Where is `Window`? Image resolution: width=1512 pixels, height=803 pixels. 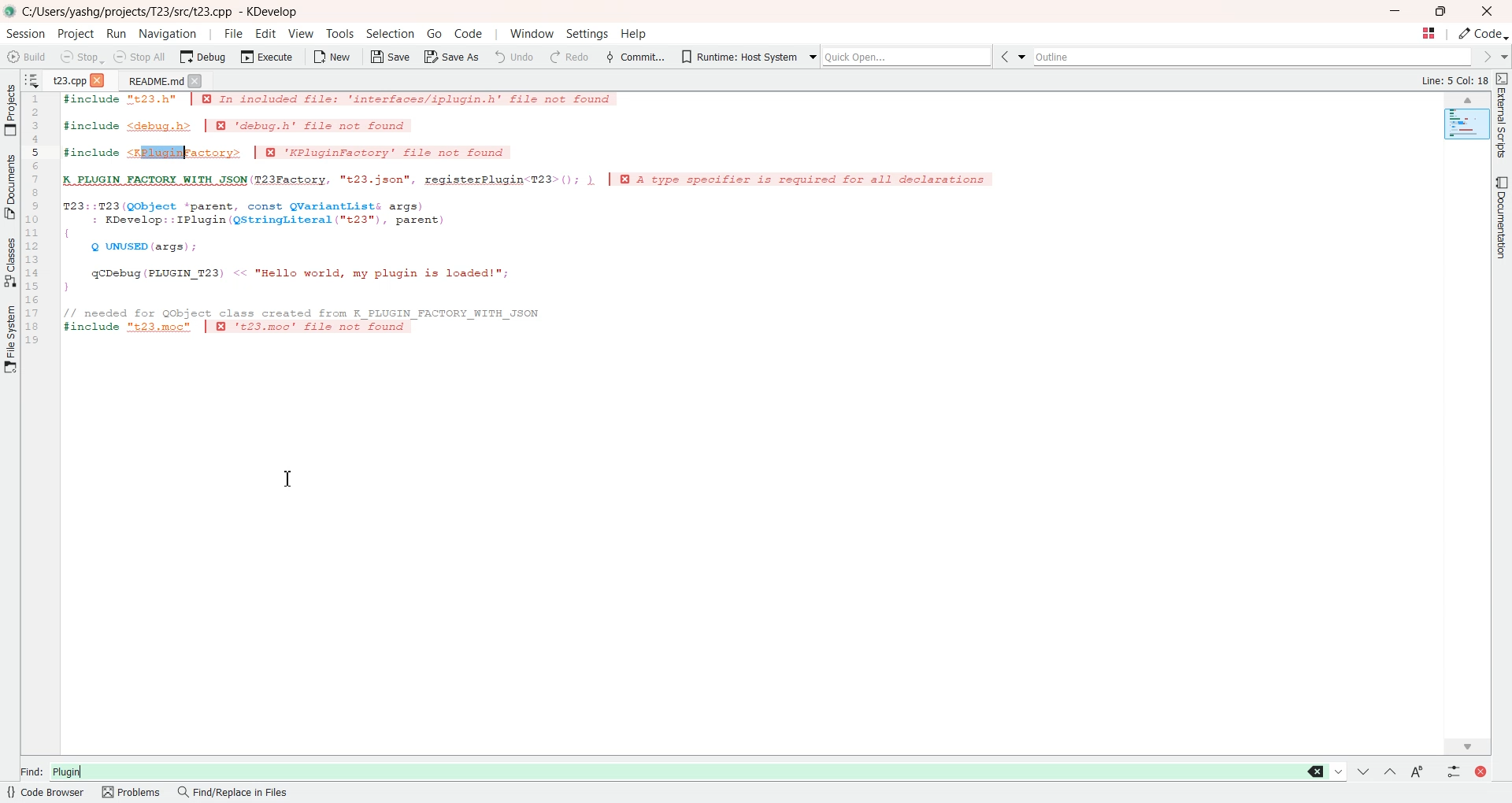
Window is located at coordinates (532, 34).